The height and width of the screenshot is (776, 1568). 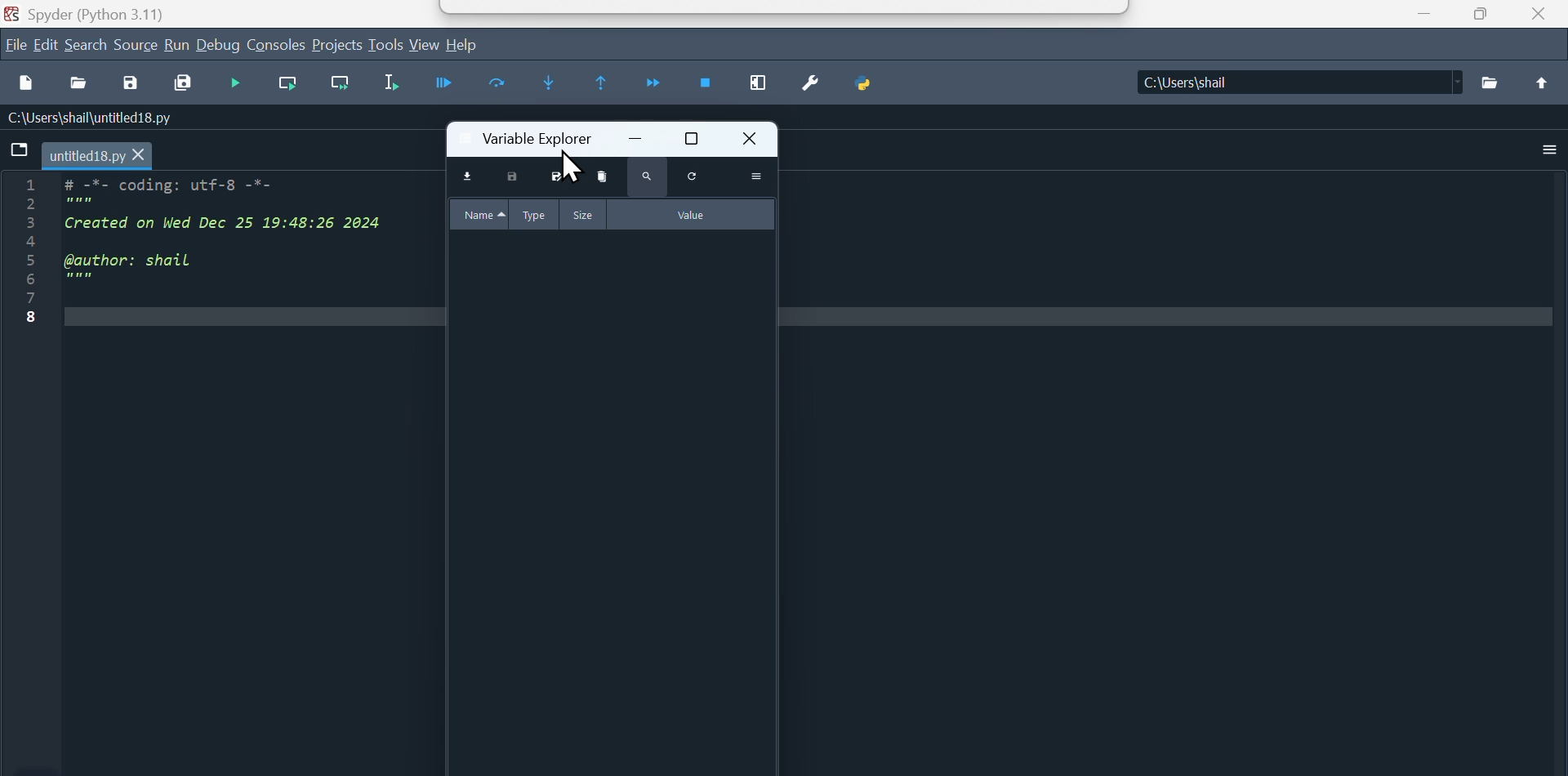 What do you see at coordinates (658, 87) in the screenshot?
I see `COntinue execution until next breakpoint` at bounding box center [658, 87].